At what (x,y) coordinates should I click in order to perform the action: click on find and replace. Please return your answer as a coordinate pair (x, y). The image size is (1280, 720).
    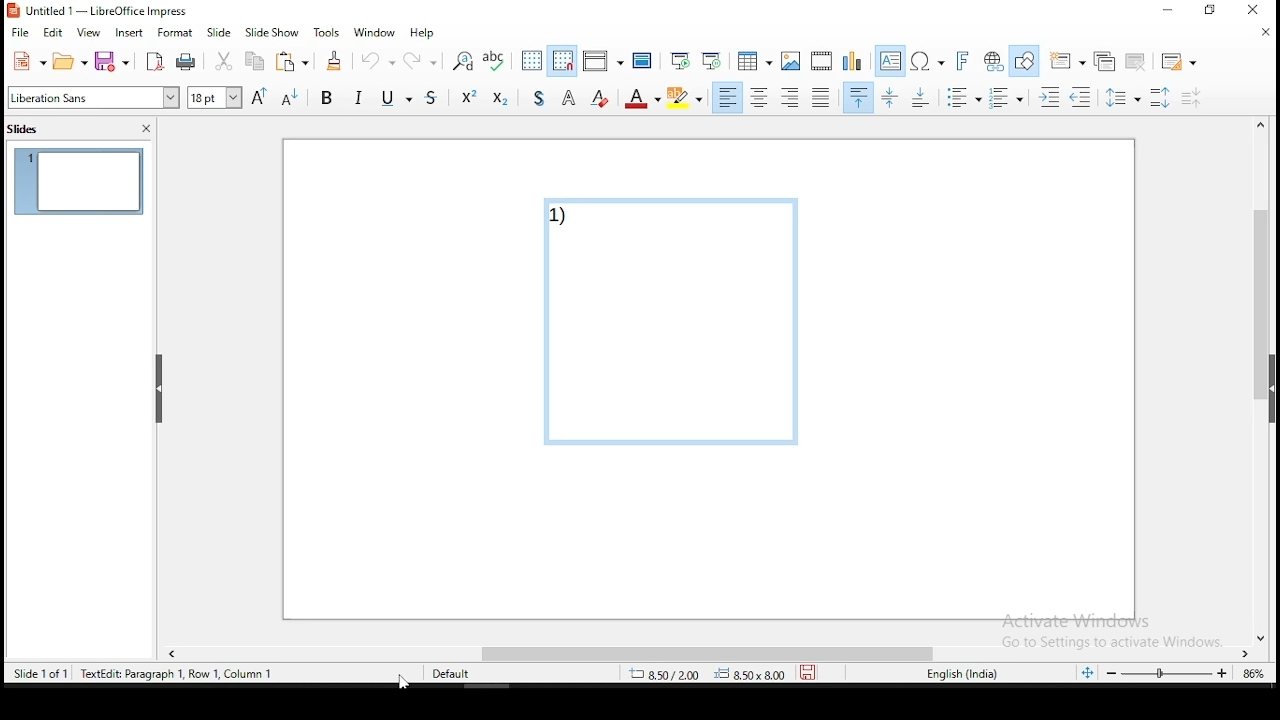
    Looking at the image, I should click on (464, 61).